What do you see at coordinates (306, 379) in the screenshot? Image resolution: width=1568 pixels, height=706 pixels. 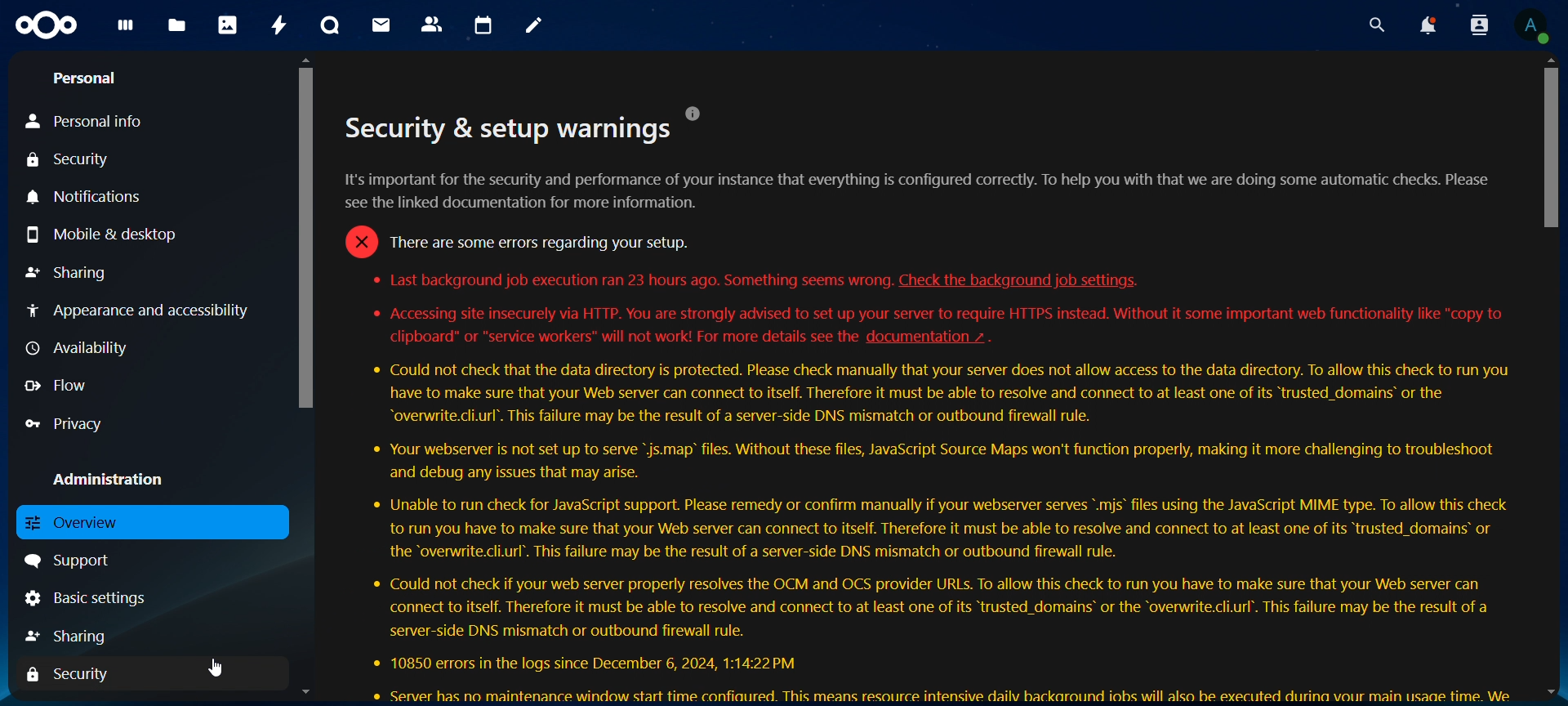 I see `Scrollbar` at bounding box center [306, 379].